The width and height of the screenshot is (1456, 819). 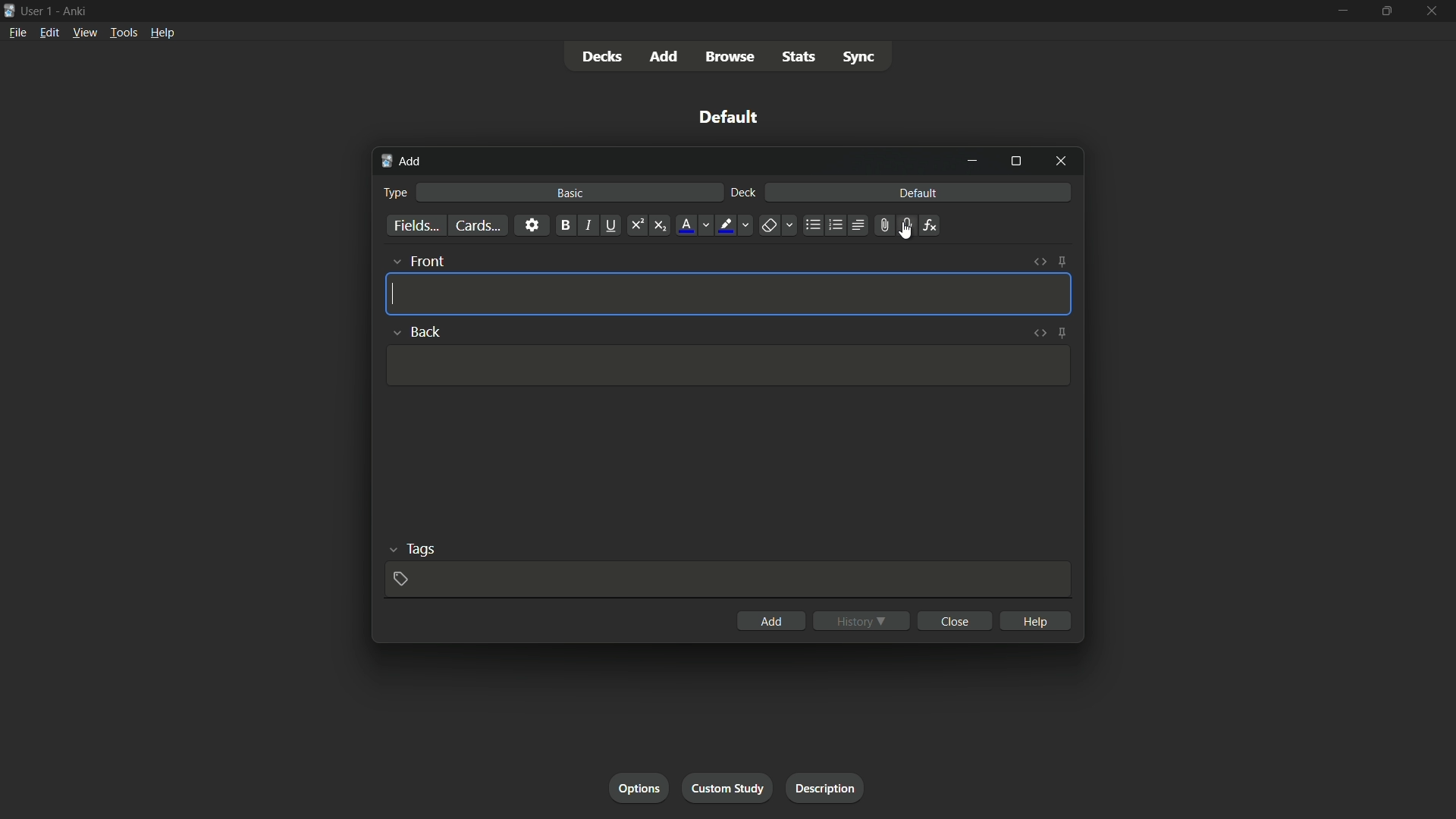 I want to click on fields, so click(x=415, y=226).